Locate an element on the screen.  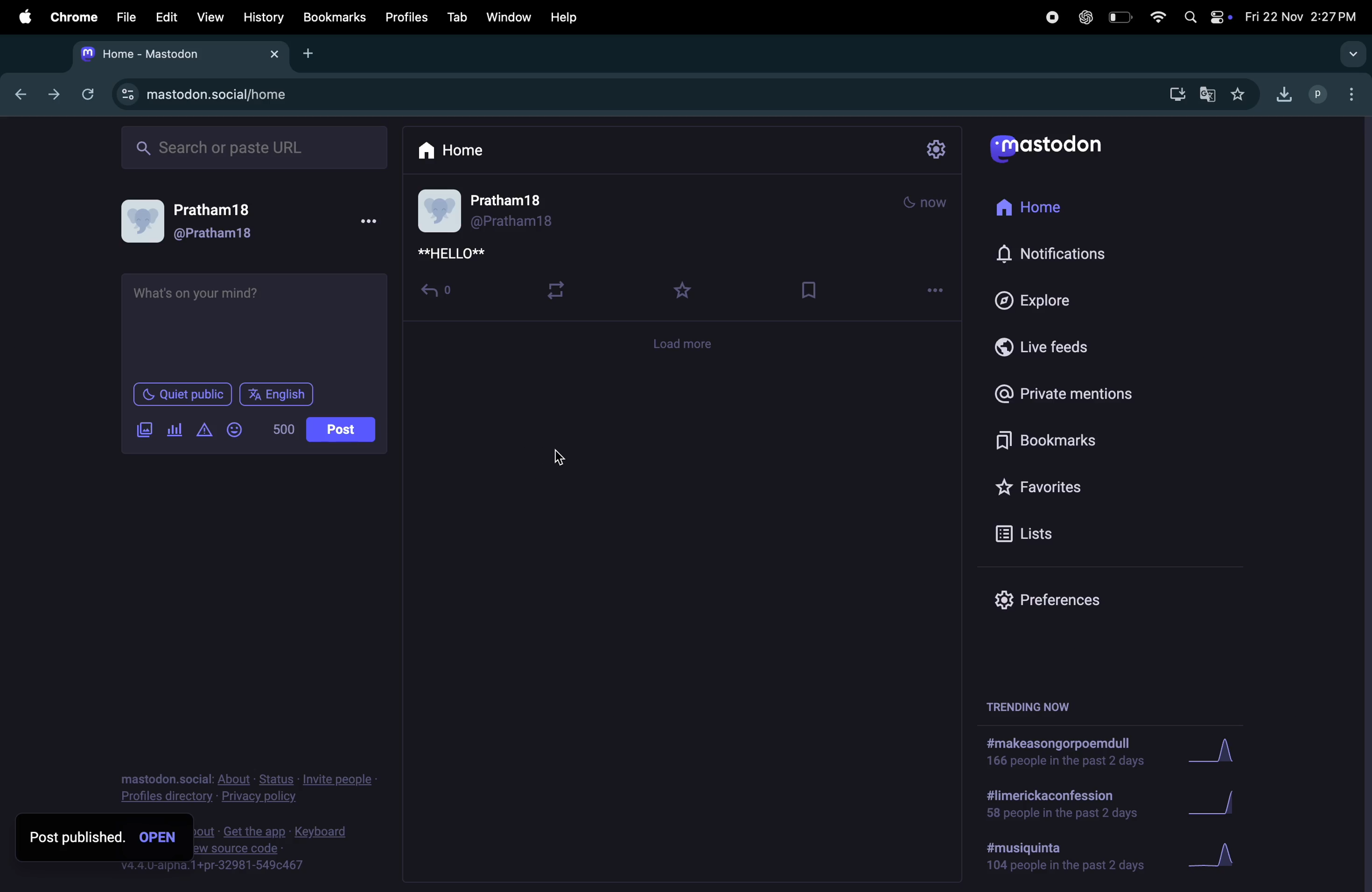
notification is located at coordinates (1064, 254).